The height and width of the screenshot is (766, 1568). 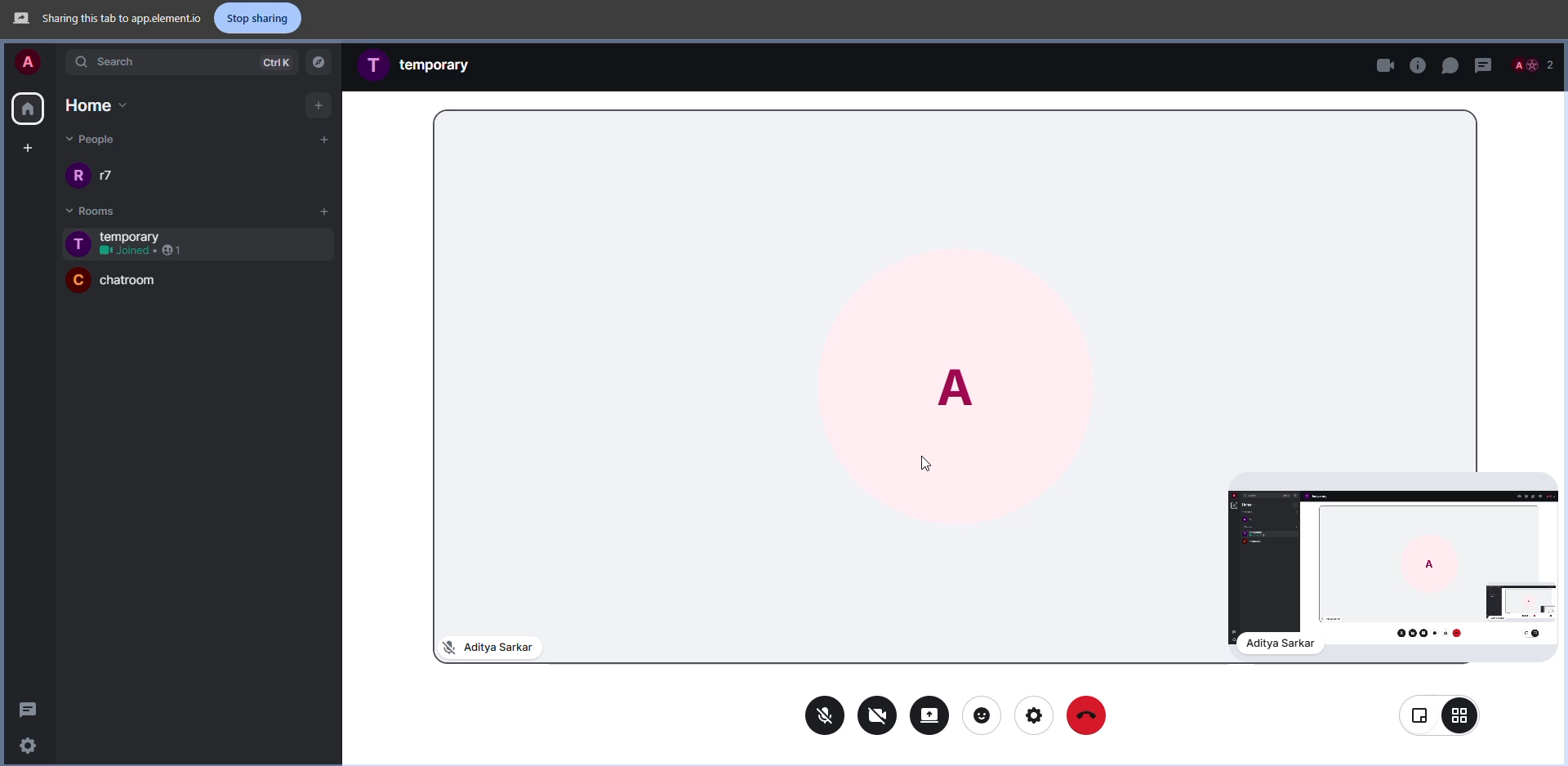 I want to click on profile, so click(x=373, y=65).